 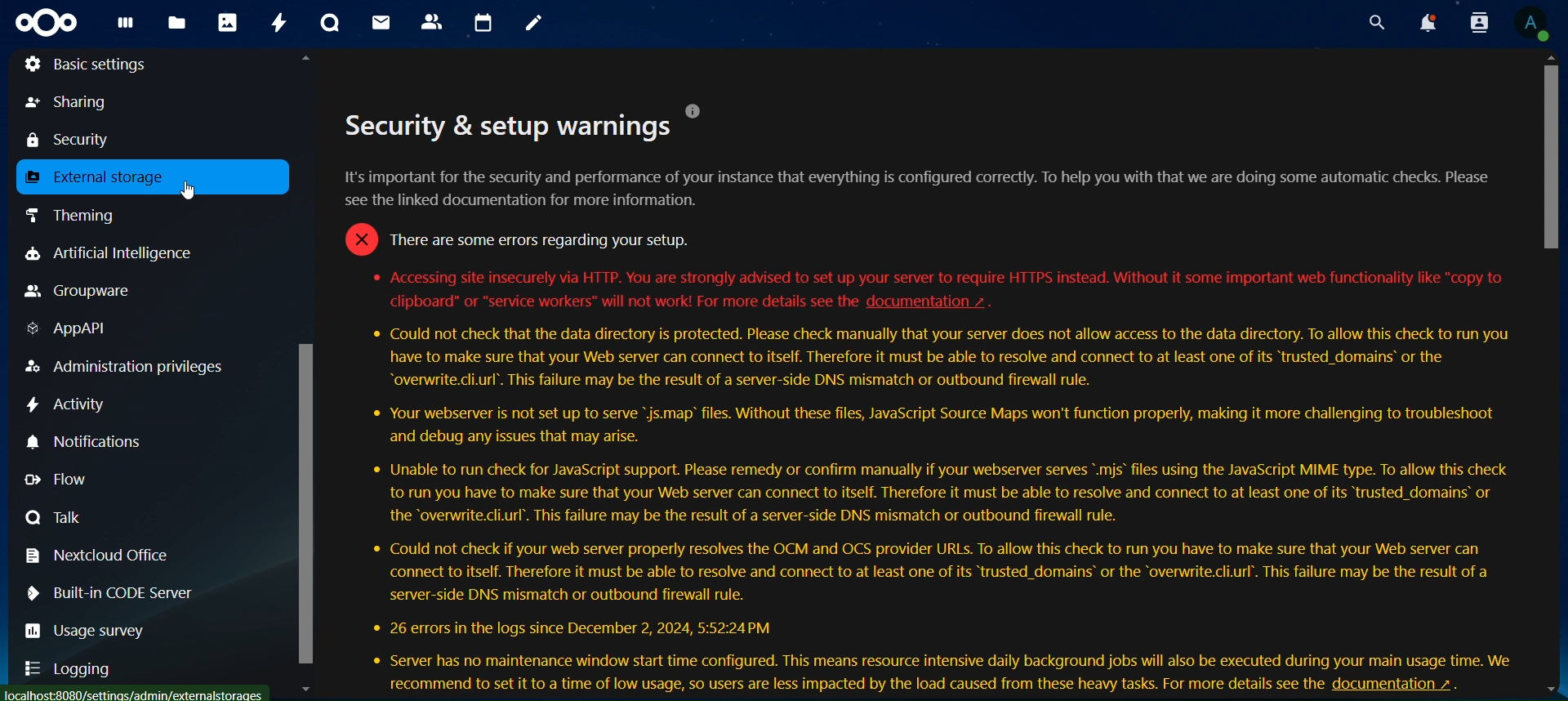 I want to click on theming, so click(x=75, y=214).